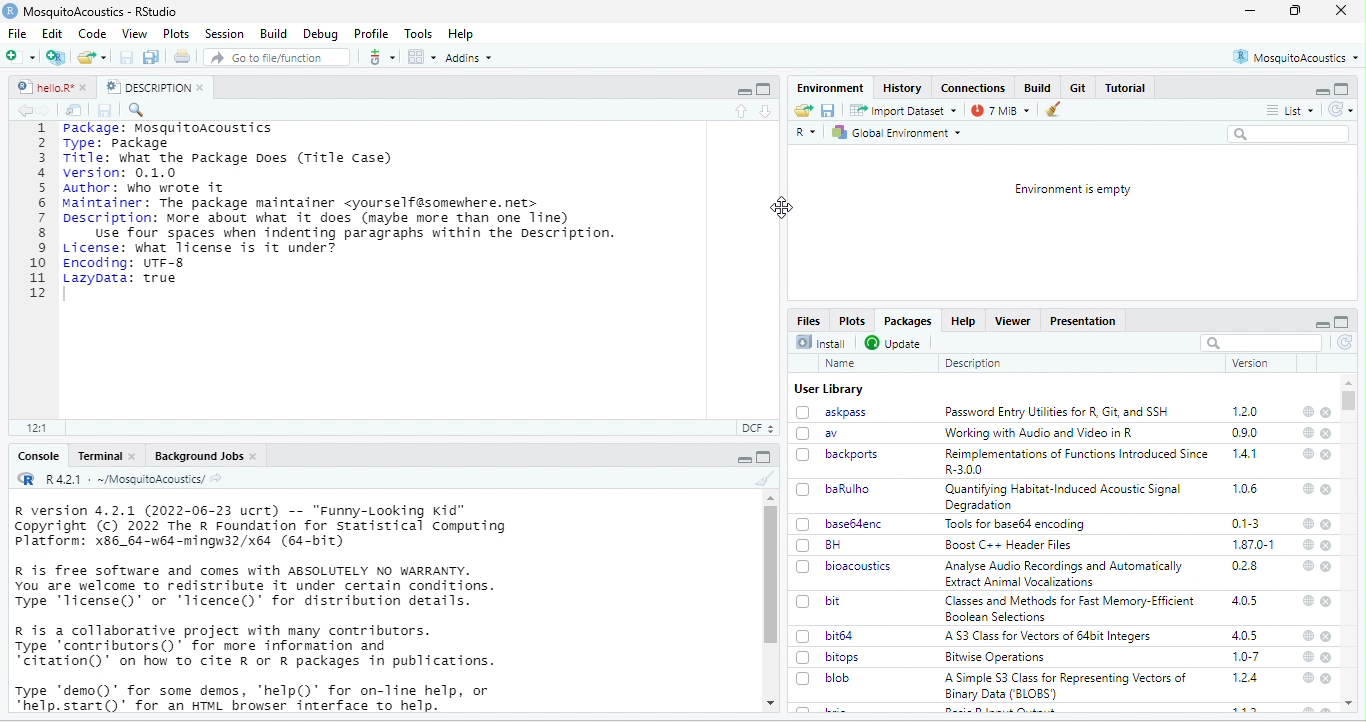  What do you see at coordinates (1342, 89) in the screenshot?
I see `maximize` at bounding box center [1342, 89].